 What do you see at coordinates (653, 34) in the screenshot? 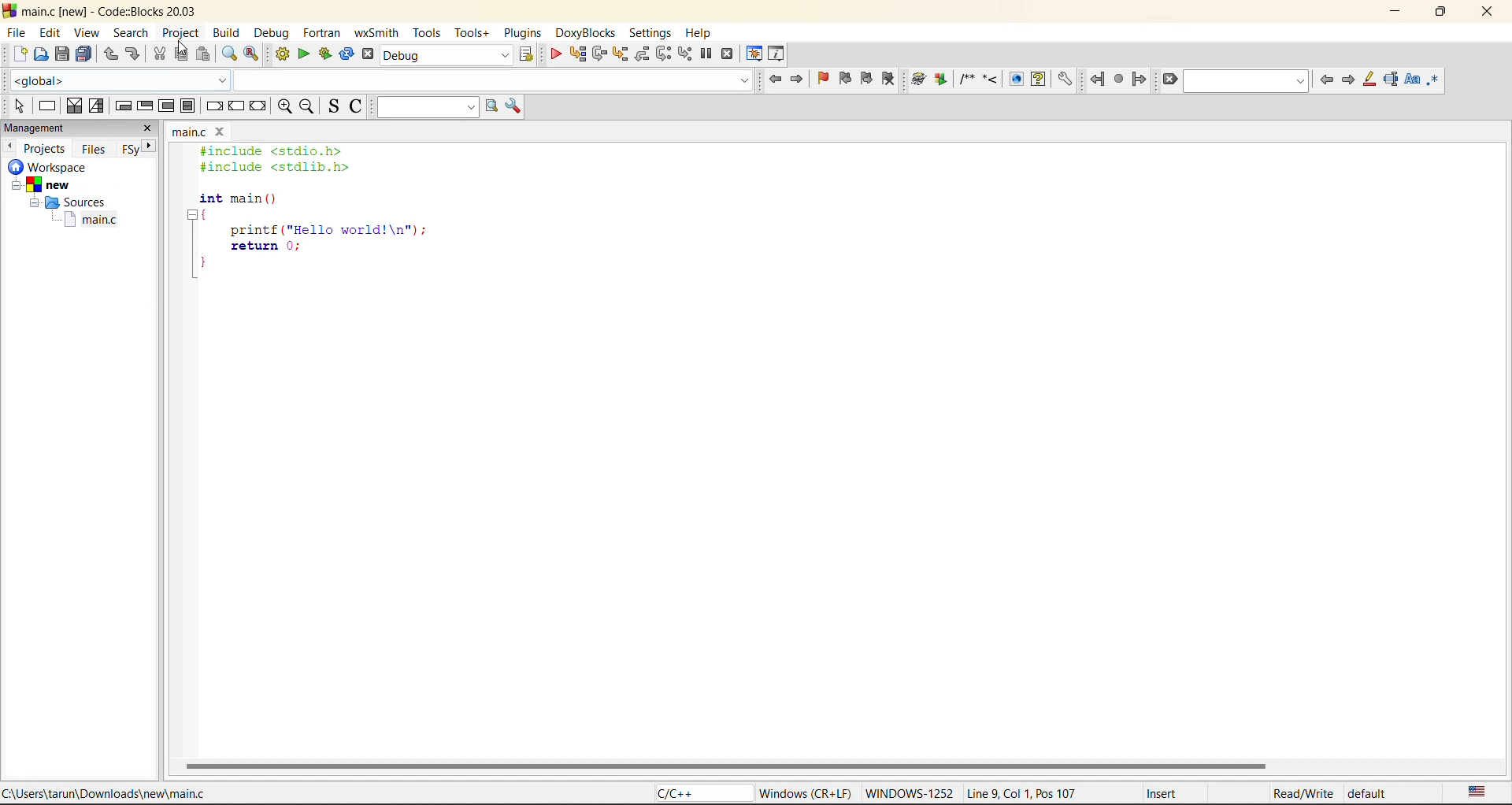
I see `settings` at bounding box center [653, 34].